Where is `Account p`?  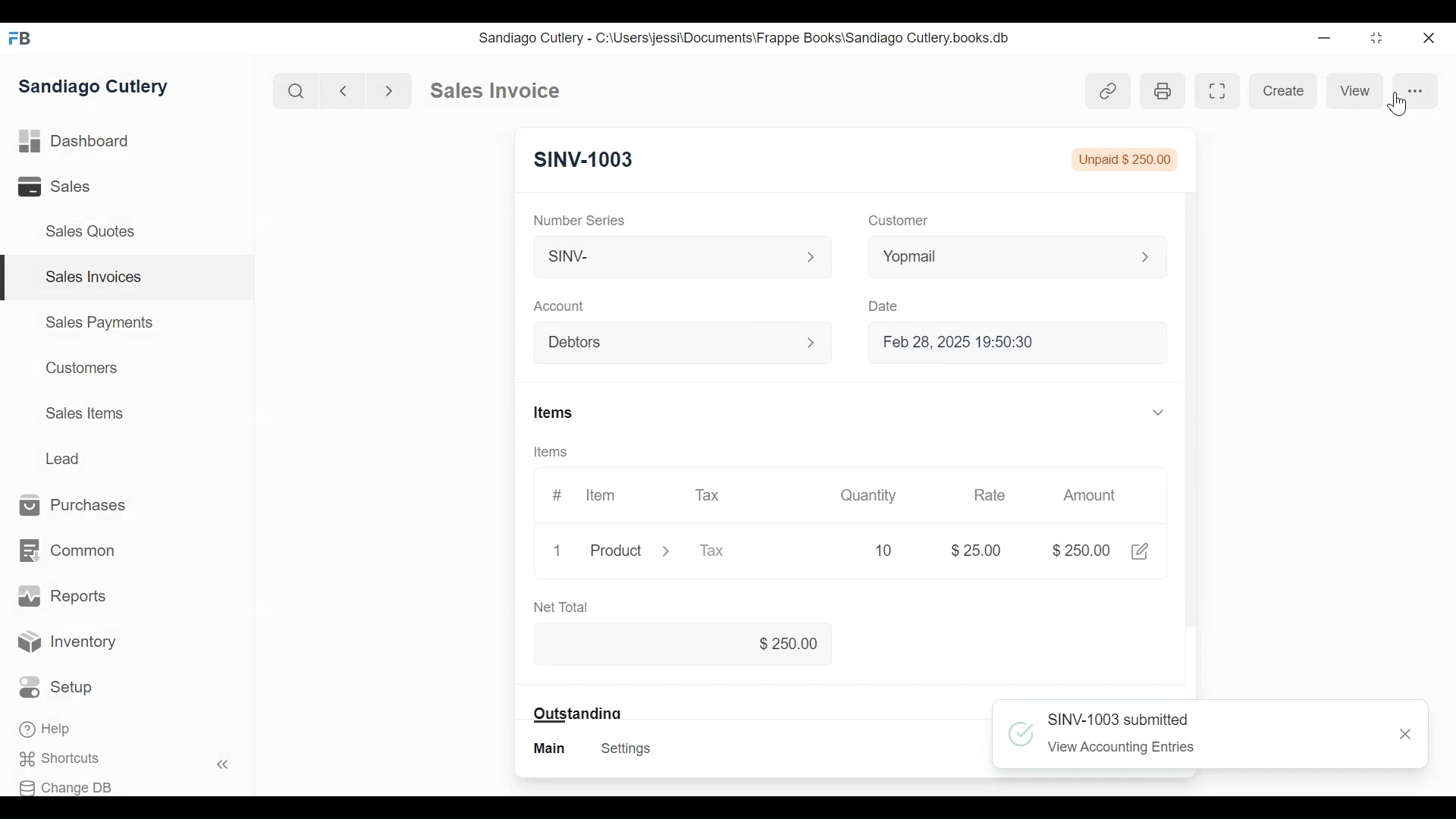 Account p is located at coordinates (684, 344).